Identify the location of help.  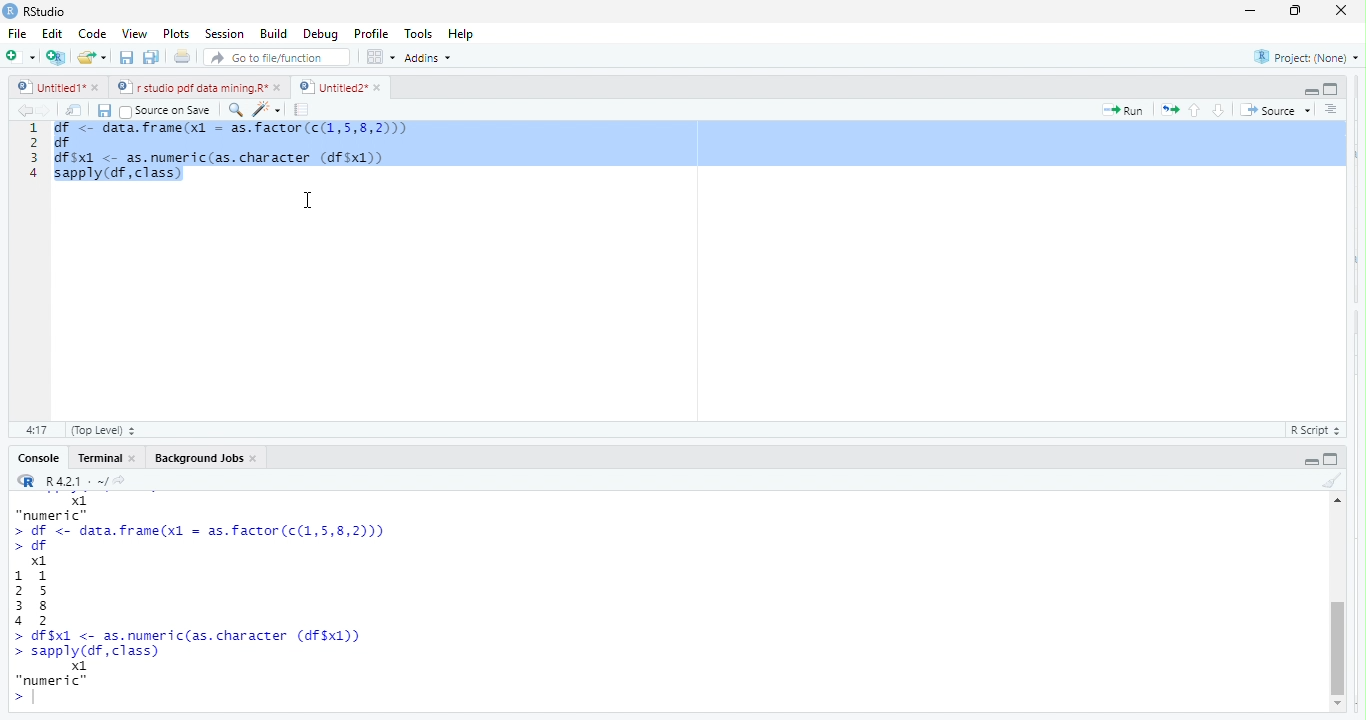
(466, 32).